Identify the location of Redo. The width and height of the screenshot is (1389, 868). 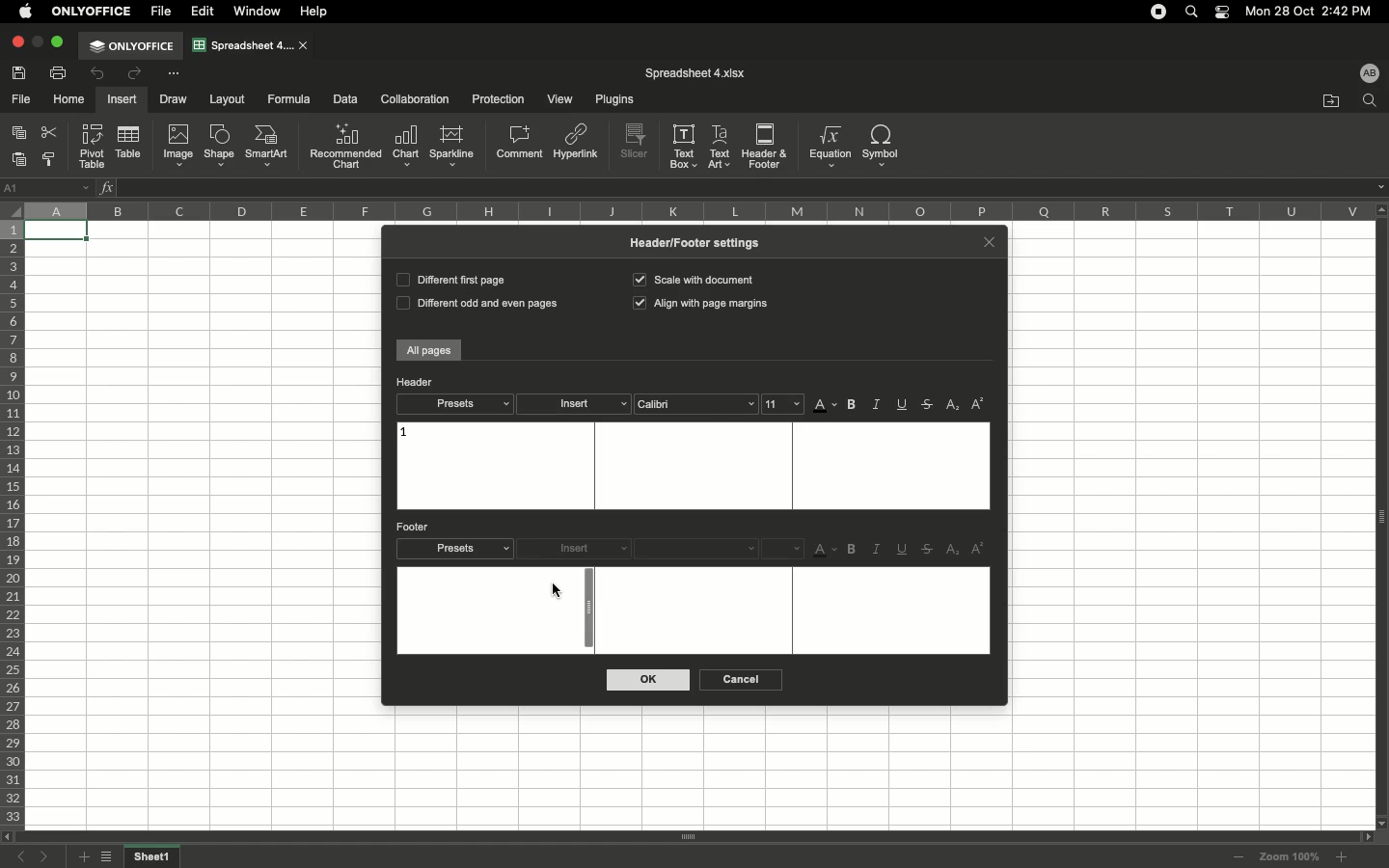
(133, 73).